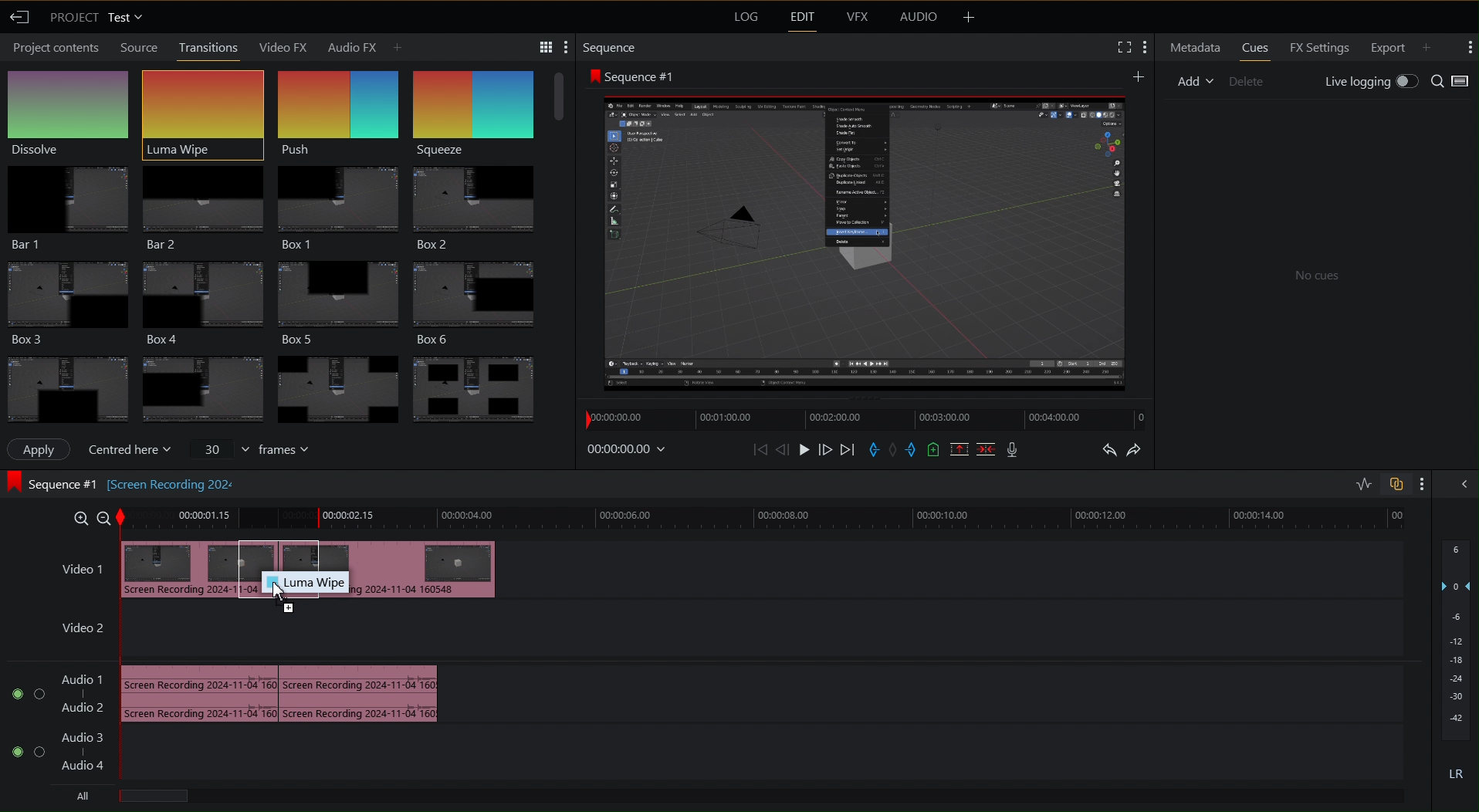 The width and height of the screenshot is (1479, 812). I want to click on Cursor, so click(282, 594).